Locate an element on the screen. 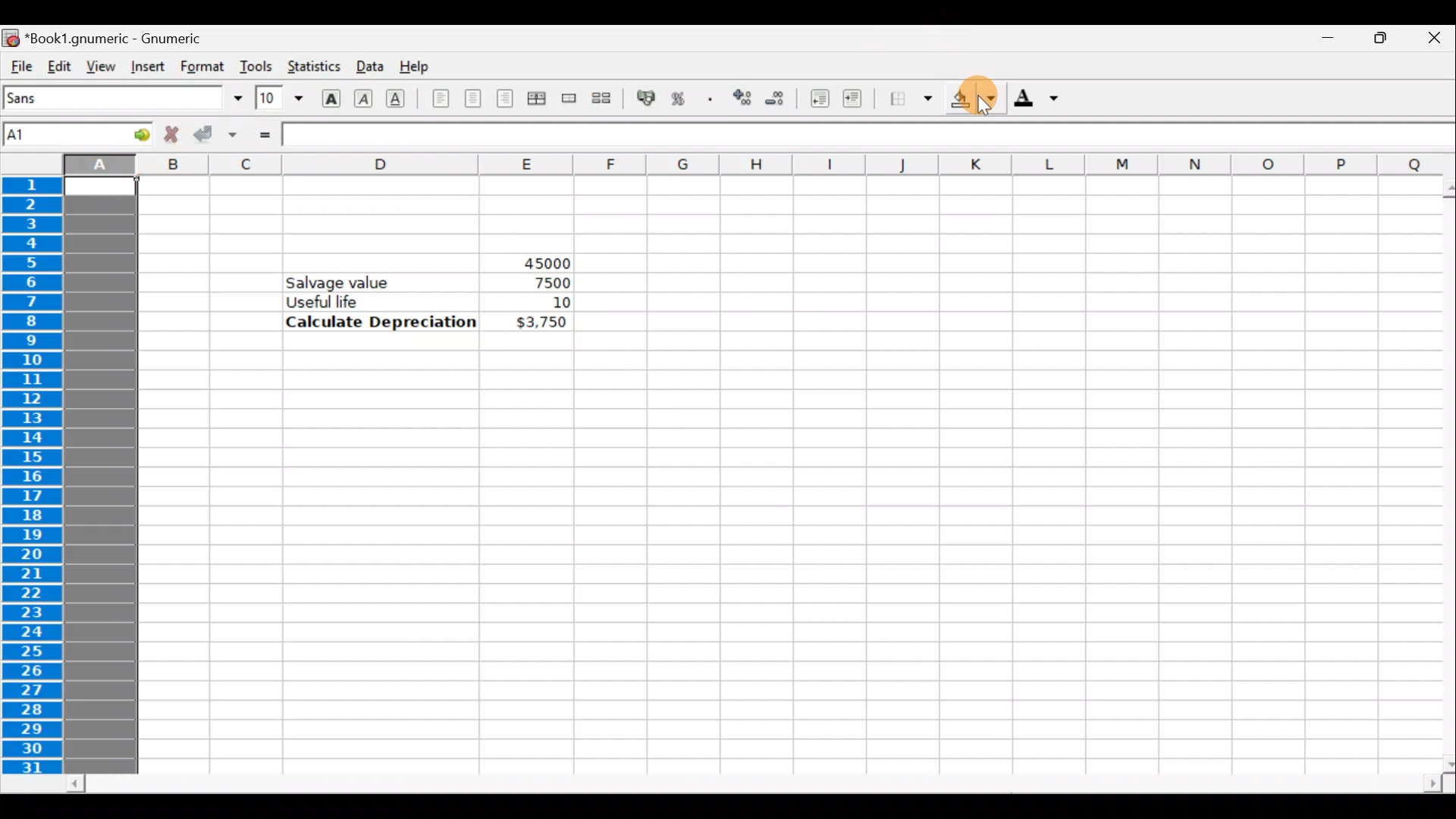  Help is located at coordinates (419, 67).